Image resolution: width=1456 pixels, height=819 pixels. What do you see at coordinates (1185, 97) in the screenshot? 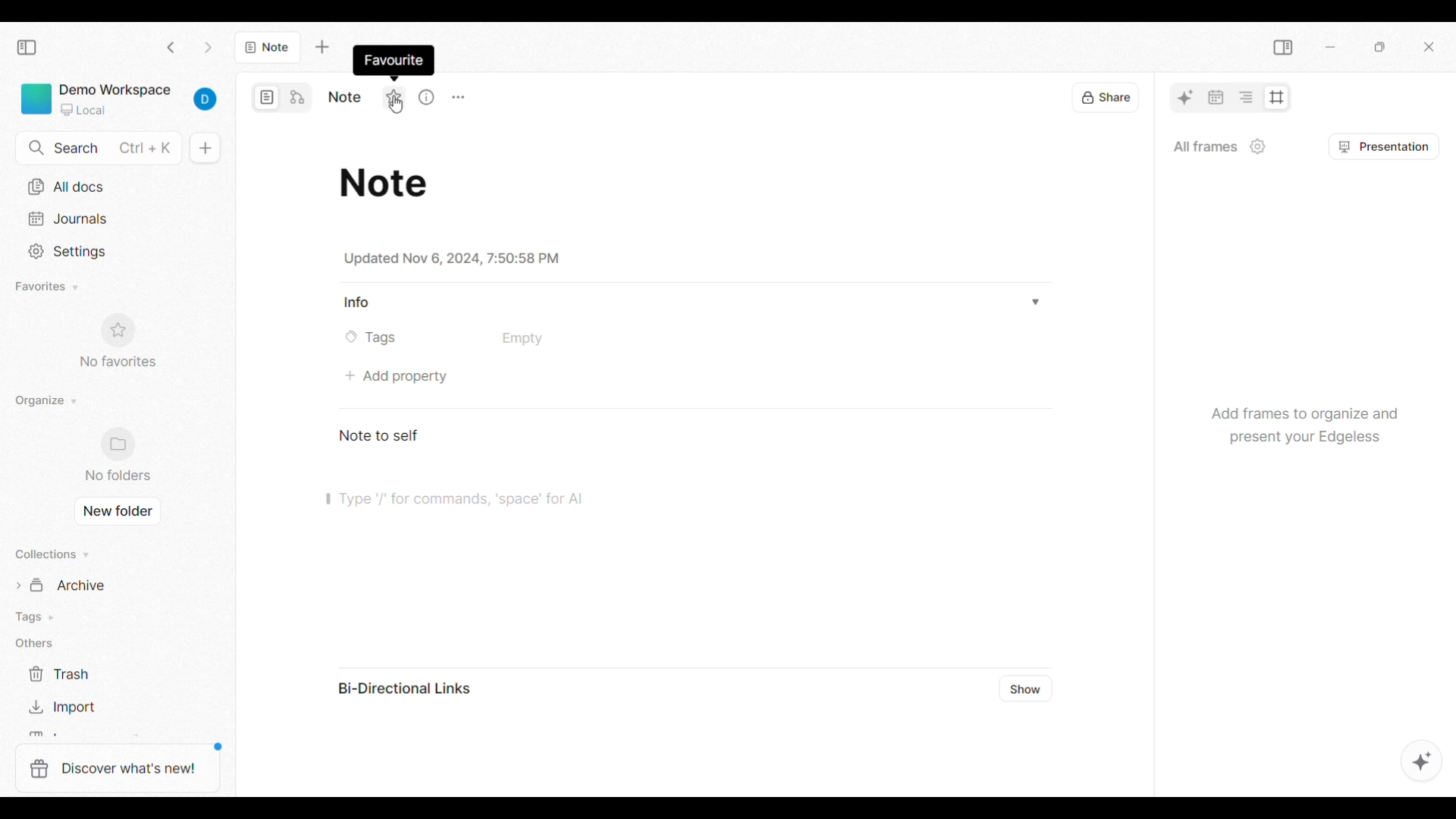
I see `Ask AI` at bounding box center [1185, 97].